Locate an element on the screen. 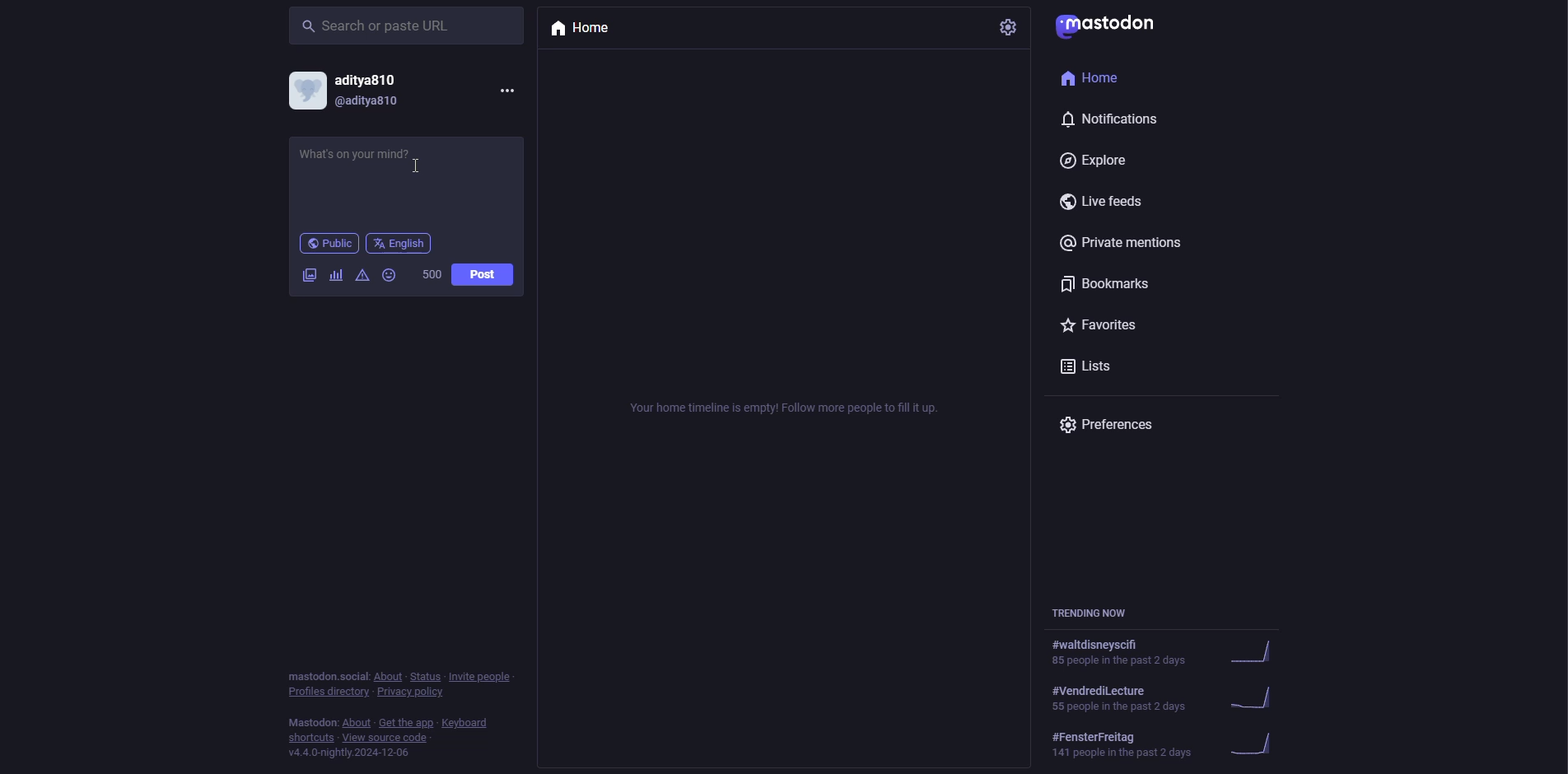 The height and width of the screenshot is (774, 1568). home is located at coordinates (583, 31).